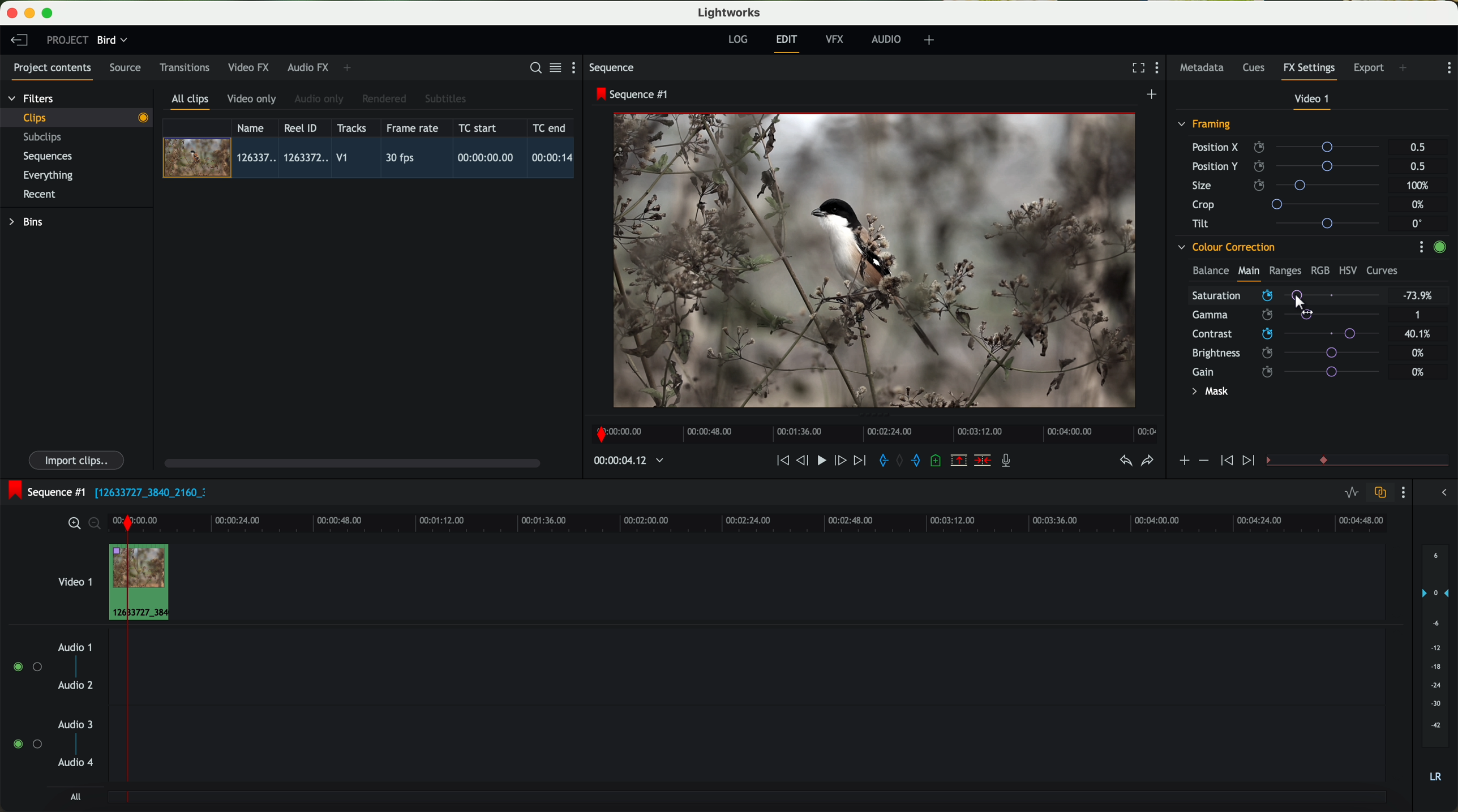 This screenshot has height=812, width=1458. What do you see at coordinates (96, 525) in the screenshot?
I see `zoom out` at bounding box center [96, 525].